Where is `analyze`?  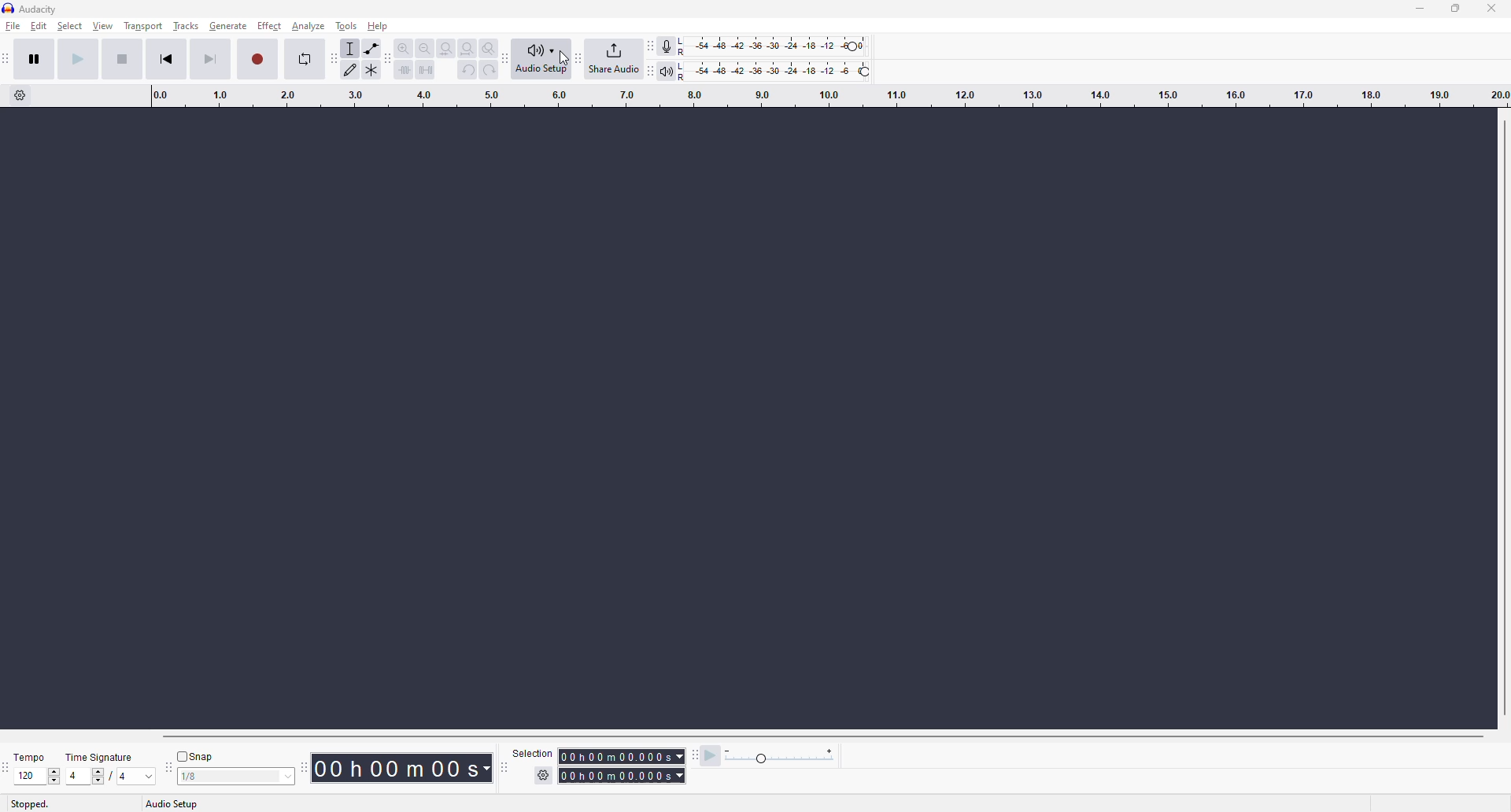
analyze is located at coordinates (305, 28).